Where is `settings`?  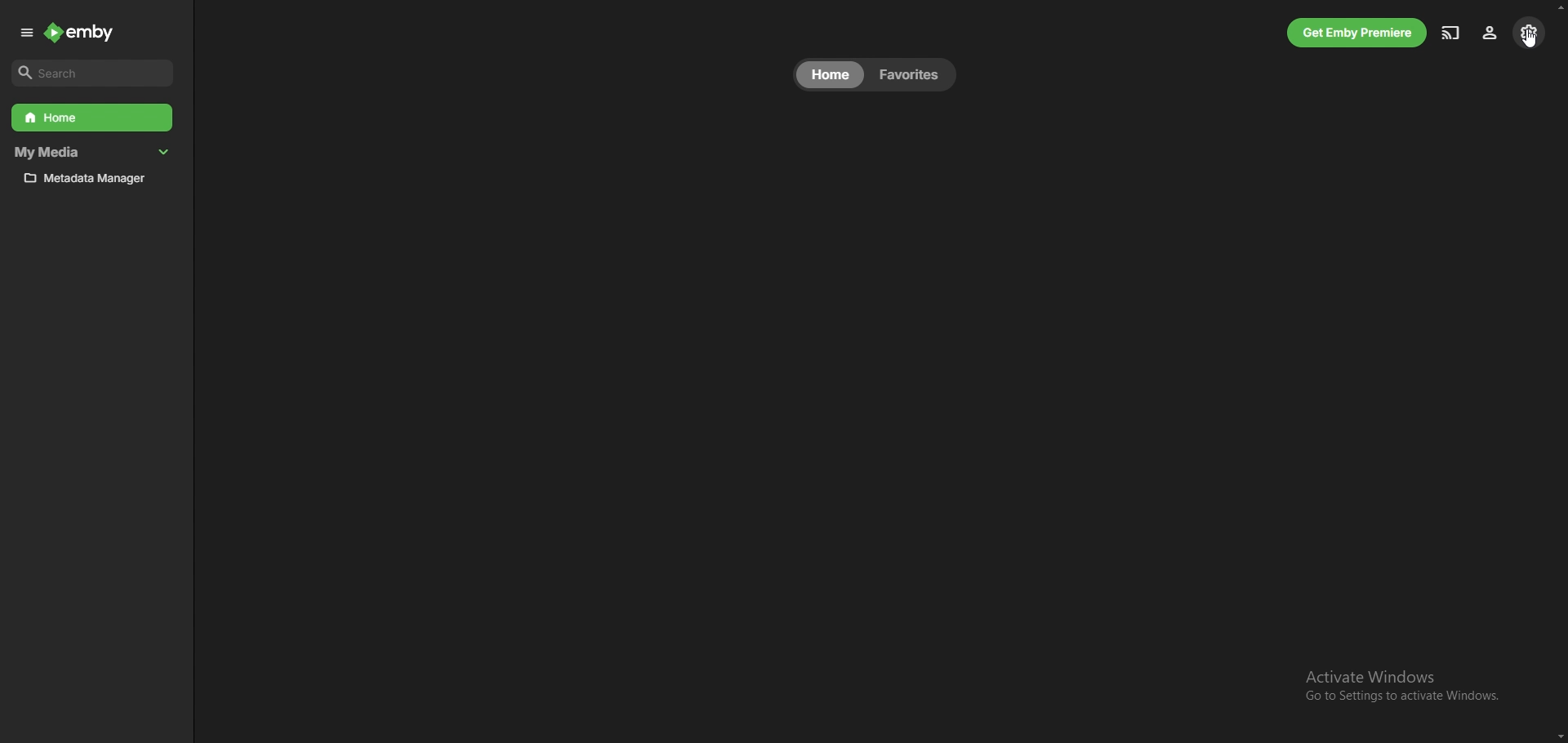 settings is located at coordinates (1528, 33).